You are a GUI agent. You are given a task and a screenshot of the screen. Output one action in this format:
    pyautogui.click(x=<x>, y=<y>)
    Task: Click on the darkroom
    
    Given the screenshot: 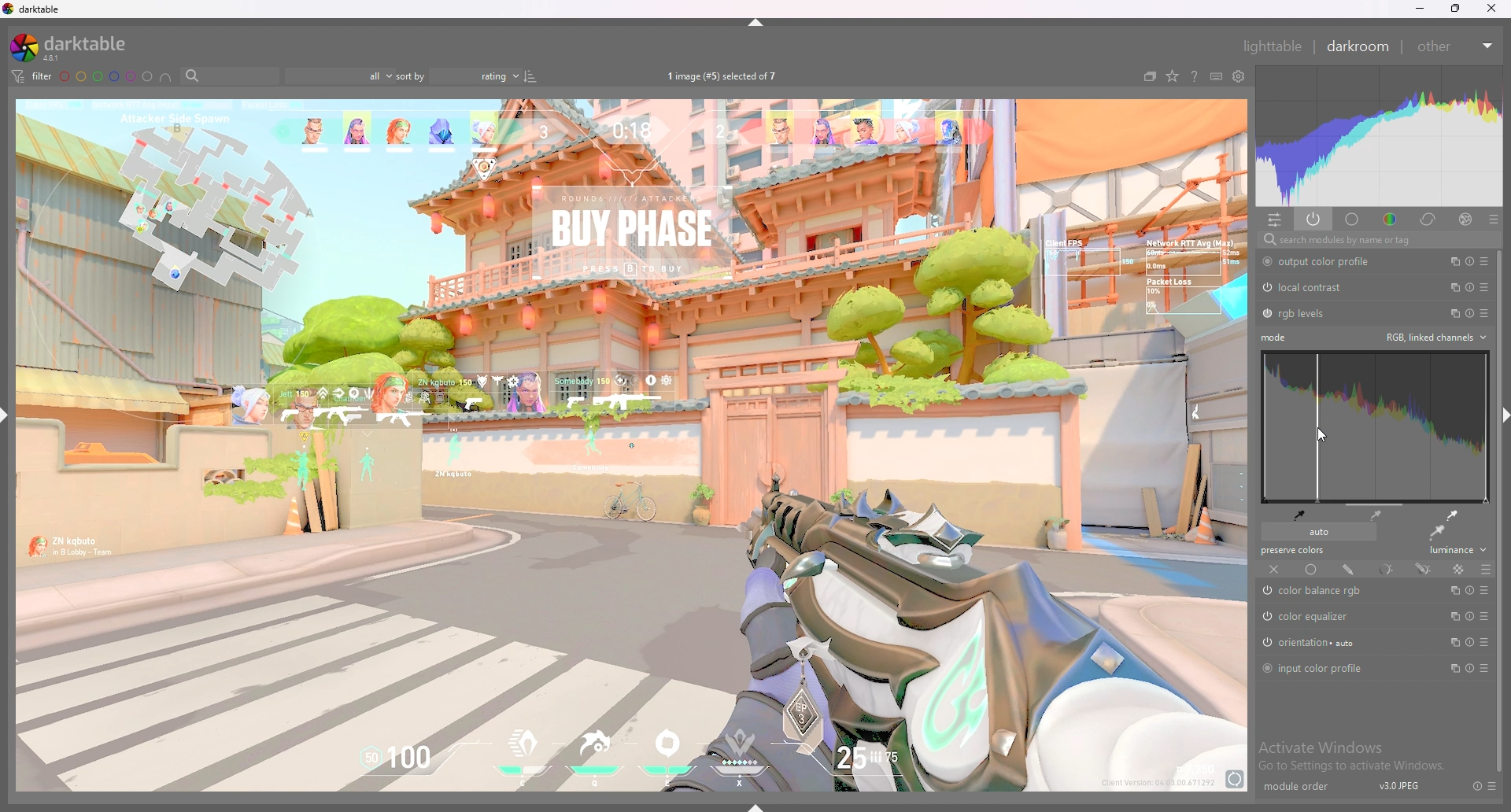 What is the action you would take?
    pyautogui.click(x=1358, y=46)
    